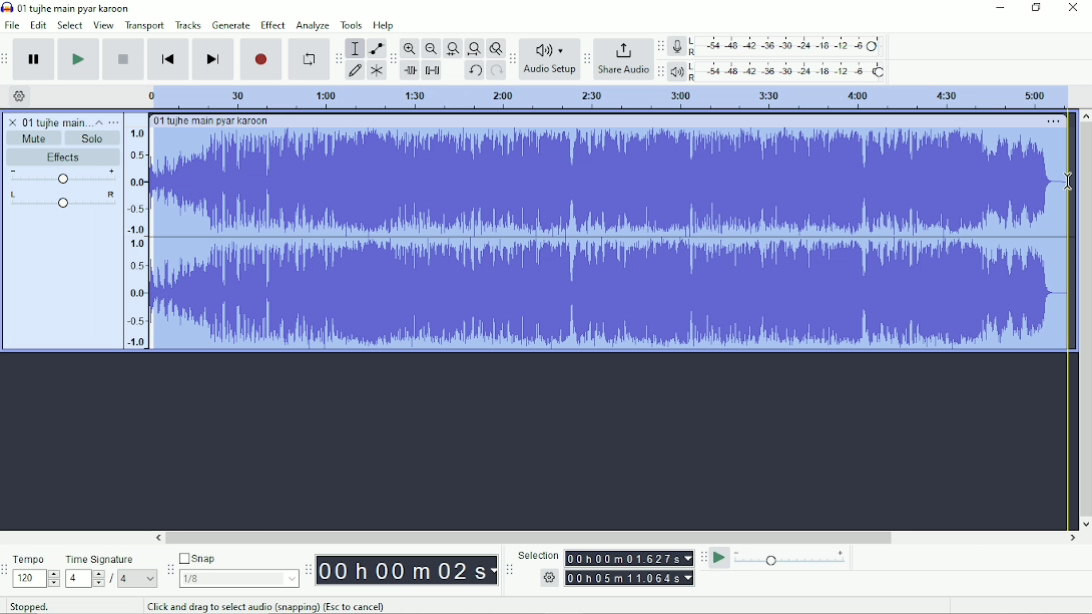  Describe the element at coordinates (998, 8) in the screenshot. I see `Minimize` at that location.